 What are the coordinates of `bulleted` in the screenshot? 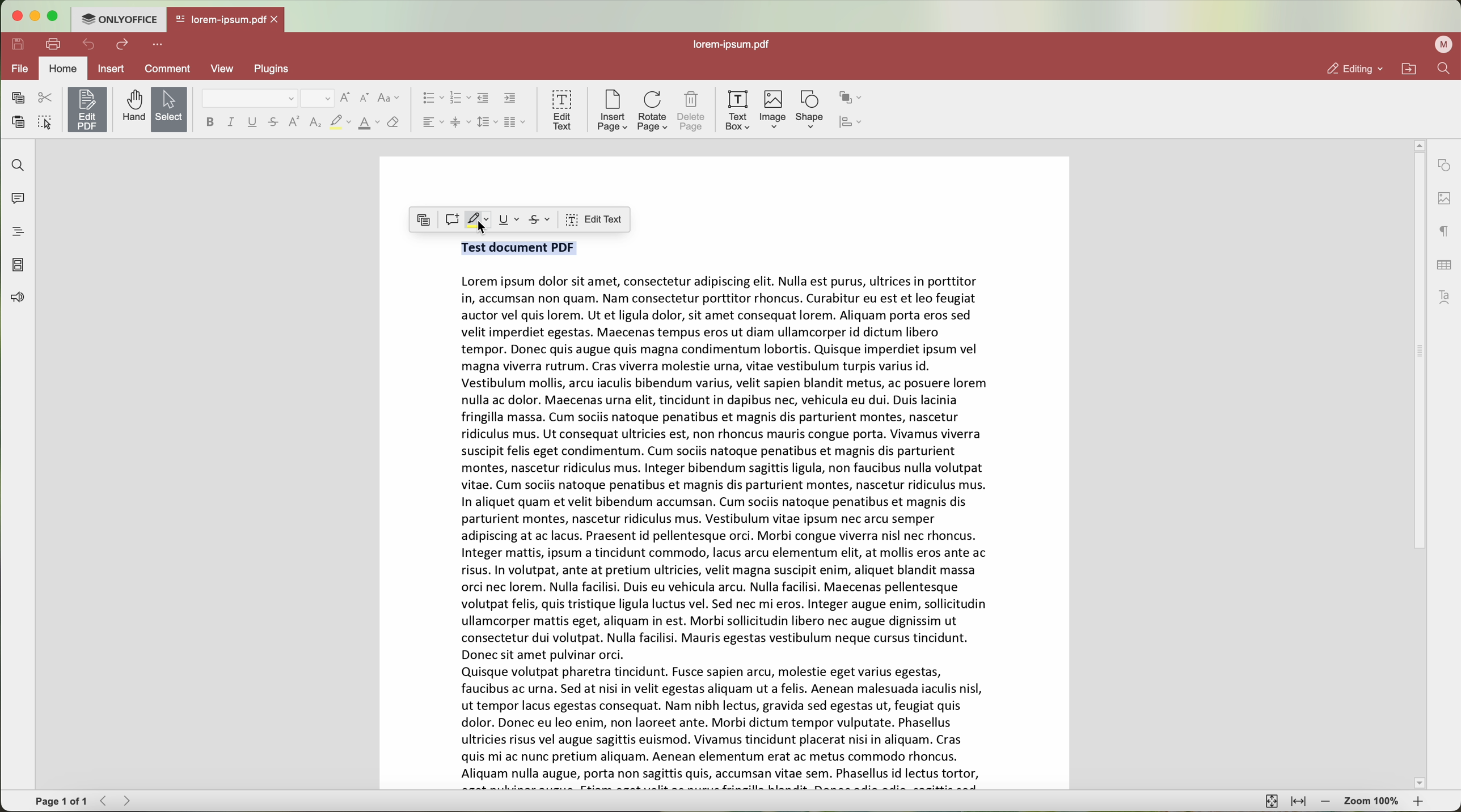 It's located at (433, 99).